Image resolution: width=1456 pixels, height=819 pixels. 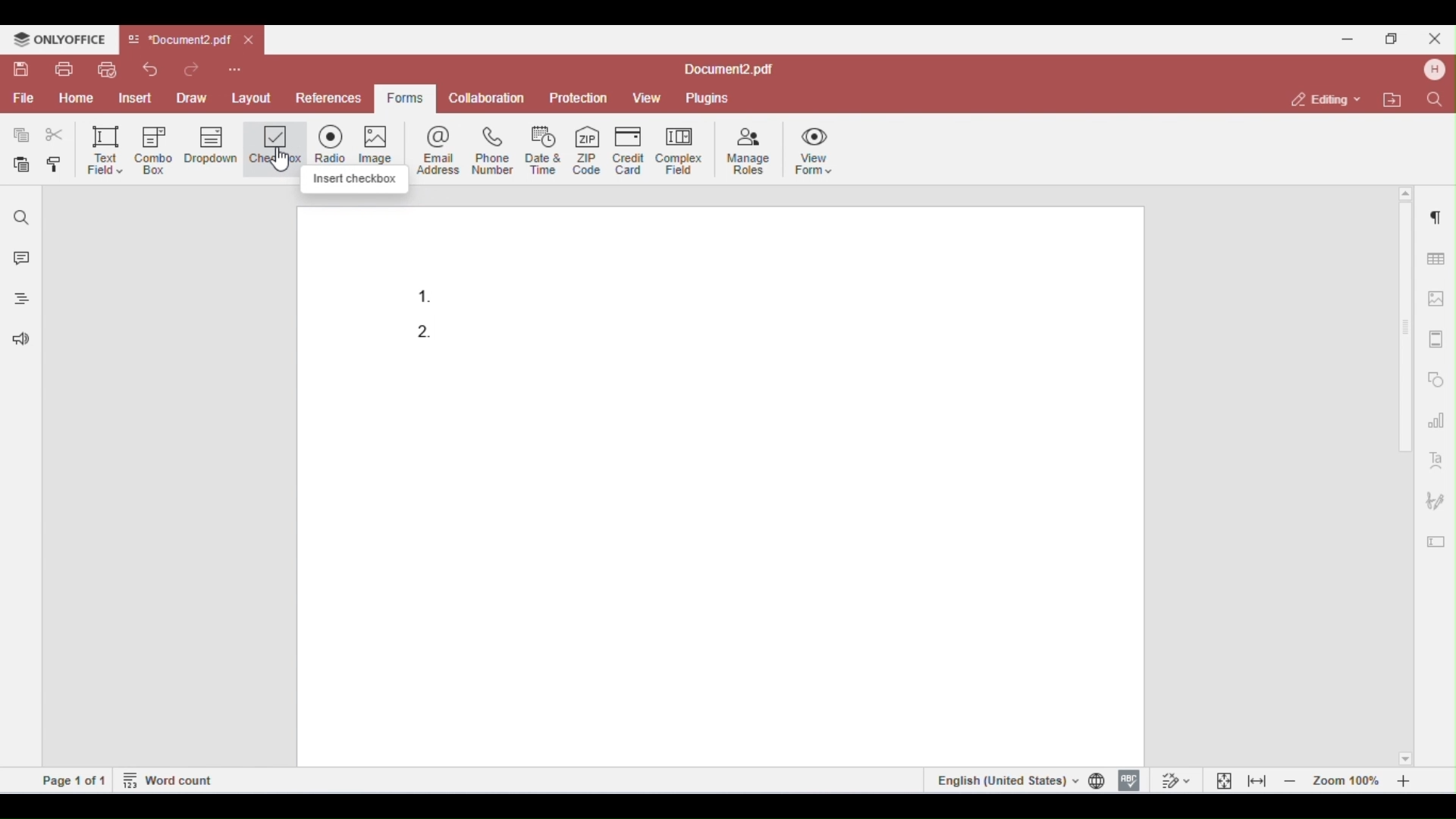 I want to click on document2, so click(x=729, y=70).